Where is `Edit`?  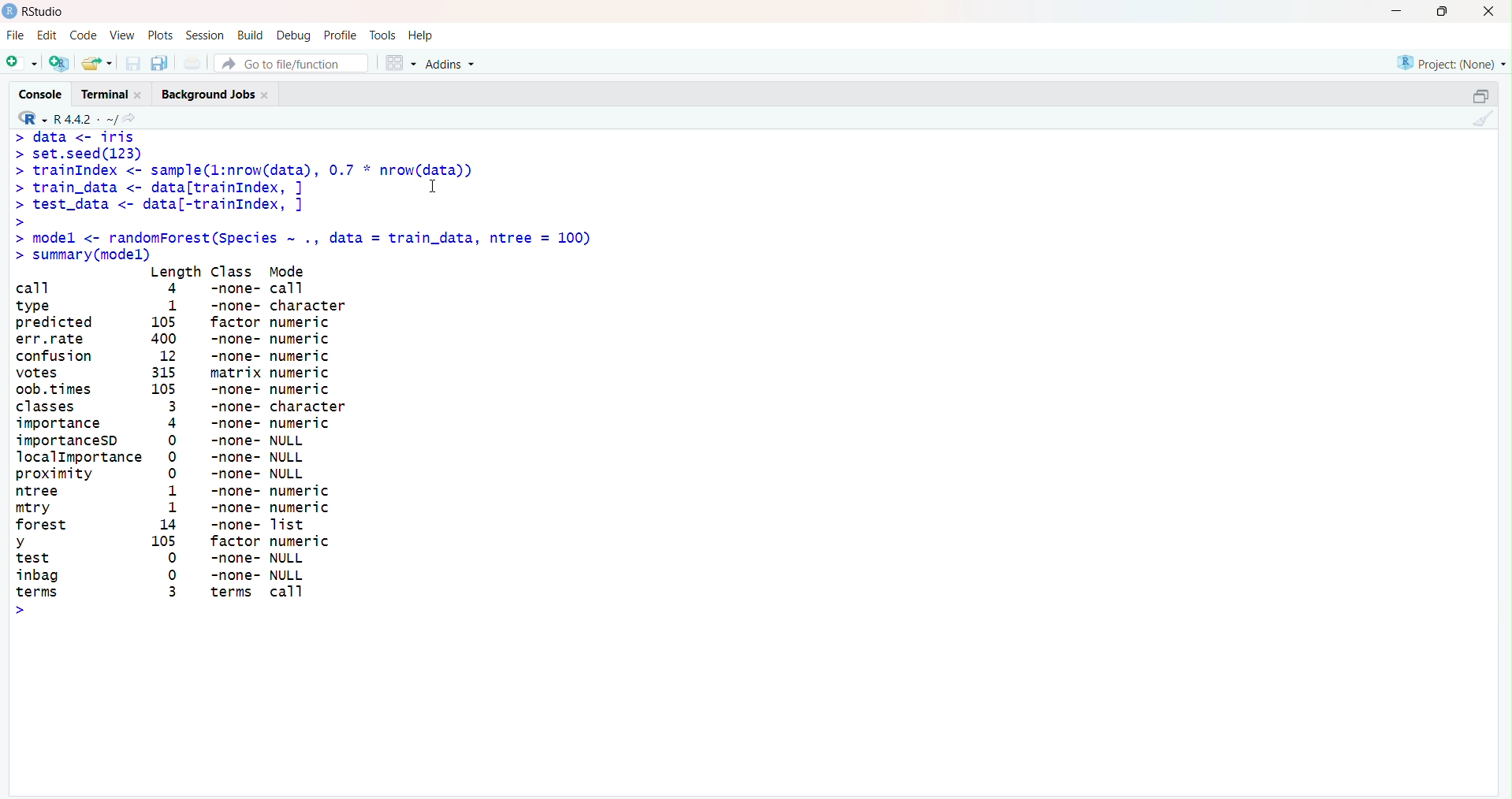
Edit is located at coordinates (47, 33).